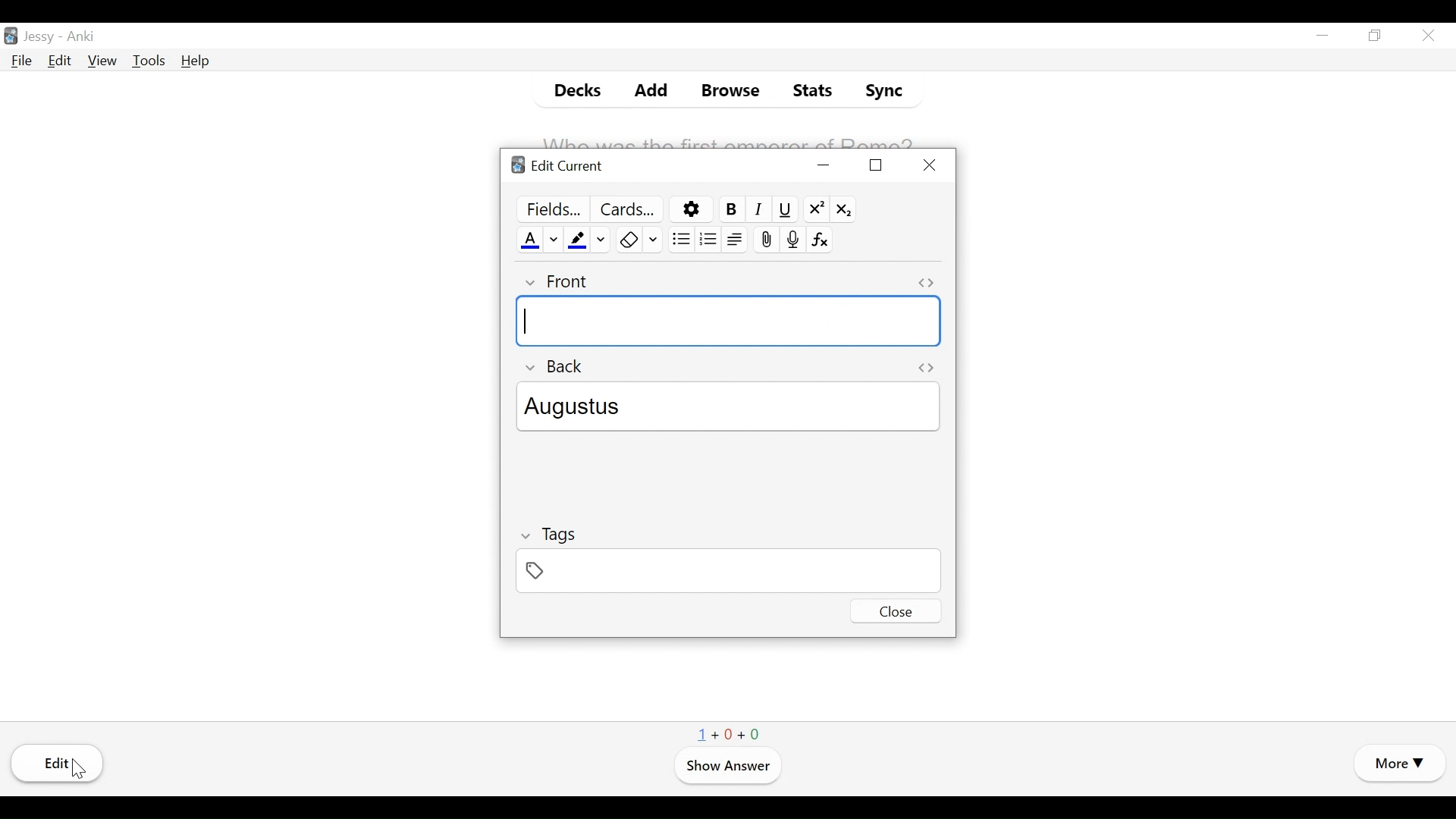 This screenshot has height=819, width=1456. I want to click on Upload Pictures/Images/files, so click(765, 240).